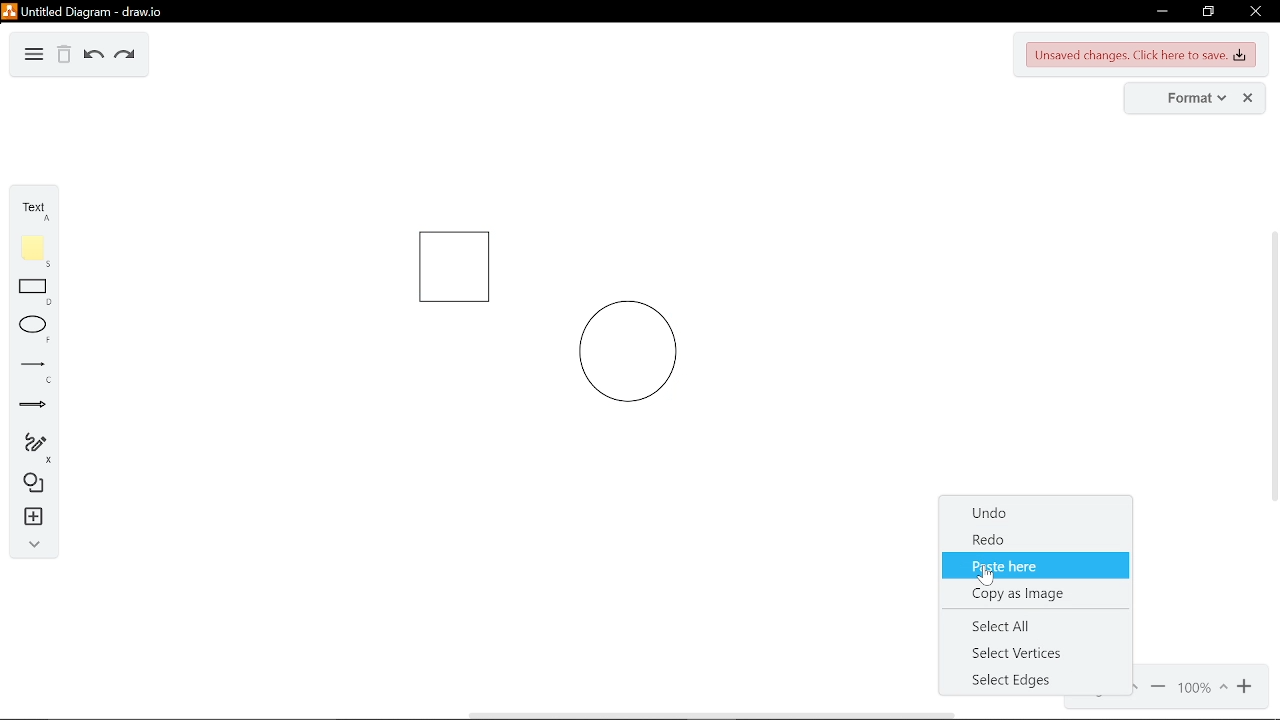 The image size is (1280, 720). I want to click on redo, so click(124, 55).